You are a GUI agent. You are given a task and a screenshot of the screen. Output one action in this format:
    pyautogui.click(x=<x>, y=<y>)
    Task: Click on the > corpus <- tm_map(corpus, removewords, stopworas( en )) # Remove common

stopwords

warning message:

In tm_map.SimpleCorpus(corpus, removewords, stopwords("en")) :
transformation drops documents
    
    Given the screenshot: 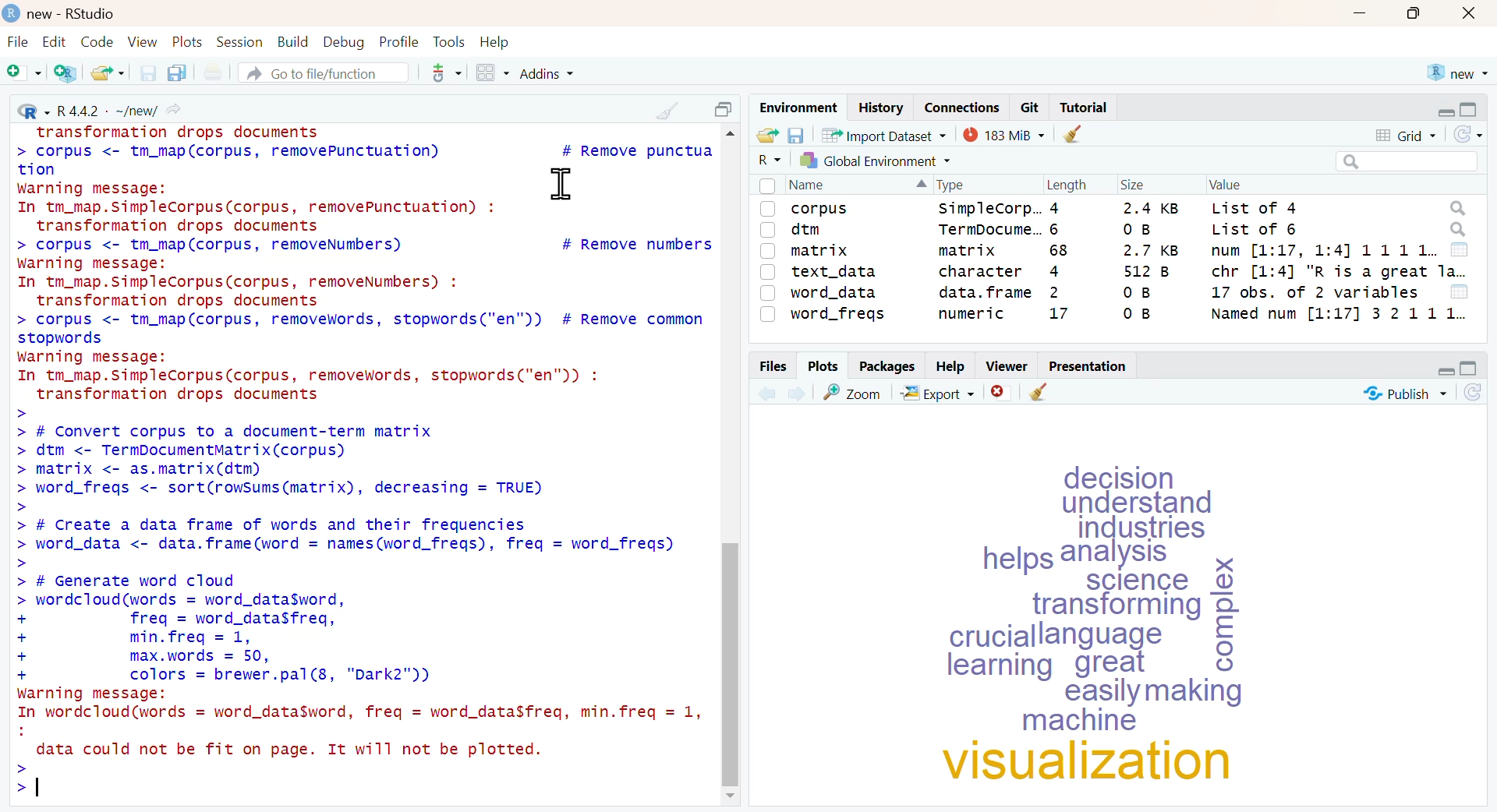 What is the action you would take?
    pyautogui.click(x=362, y=357)
    